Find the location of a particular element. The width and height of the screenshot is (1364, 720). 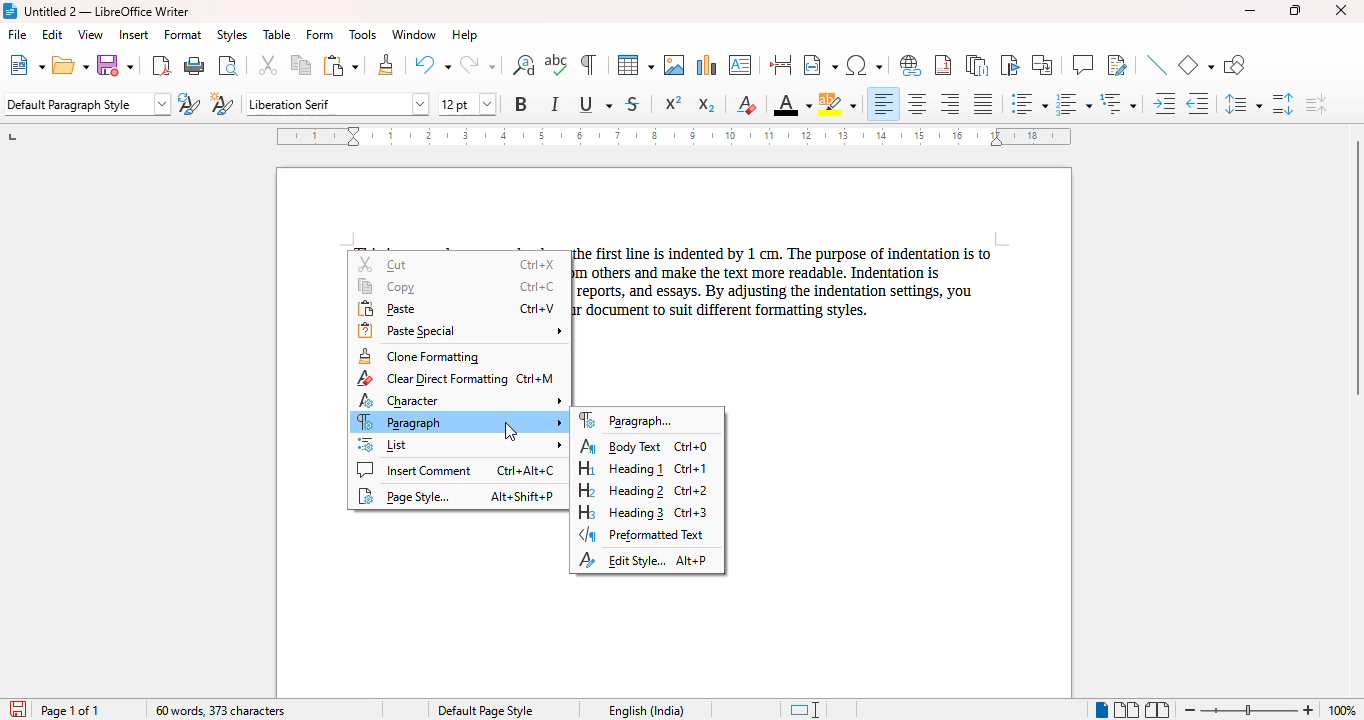

paragraph is located at coordinates (459, 422).